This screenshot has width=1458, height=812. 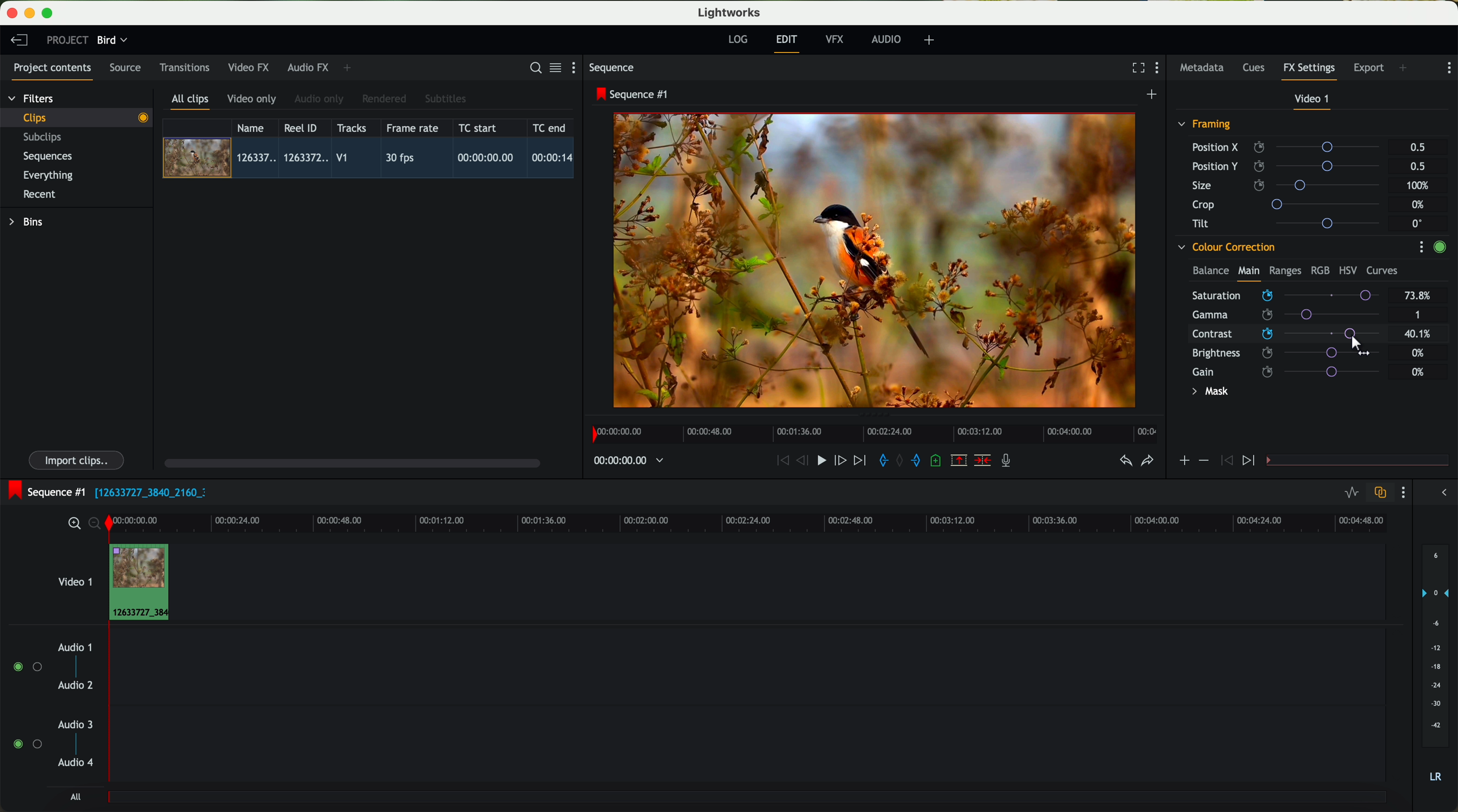 I want to click on mouse up (saturation), so click(x=1287, y=295).